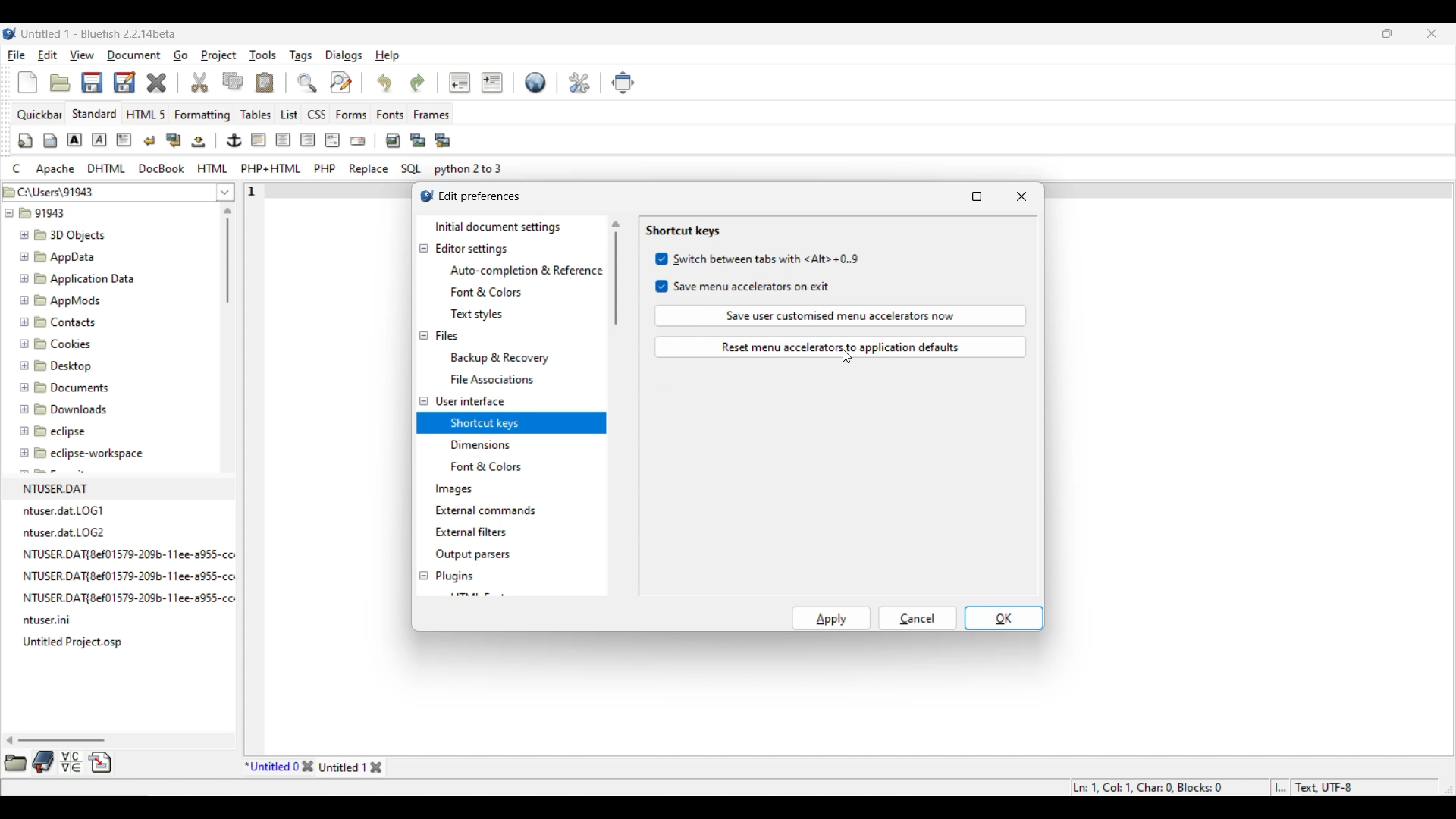 This screenshot has height=819, width=1456. What do you see at coordinates (324, 82) in the screenshot?
I see `Search and replace` at bounding box center [324, 82].